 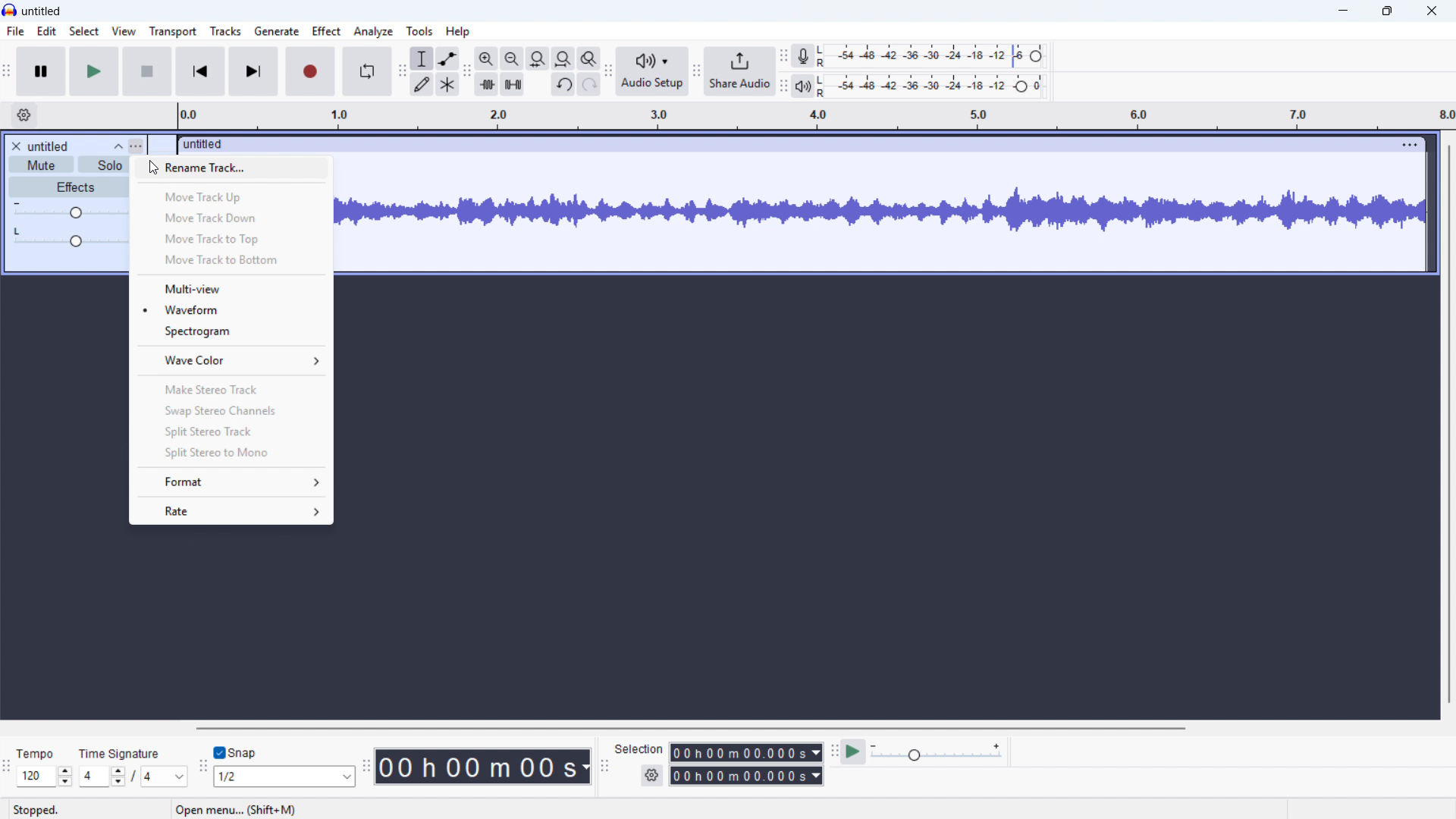 What do you see at coordinates (803, 87) in the screenshot?
I see `Playback metre ` at bounding box center [803, 87].